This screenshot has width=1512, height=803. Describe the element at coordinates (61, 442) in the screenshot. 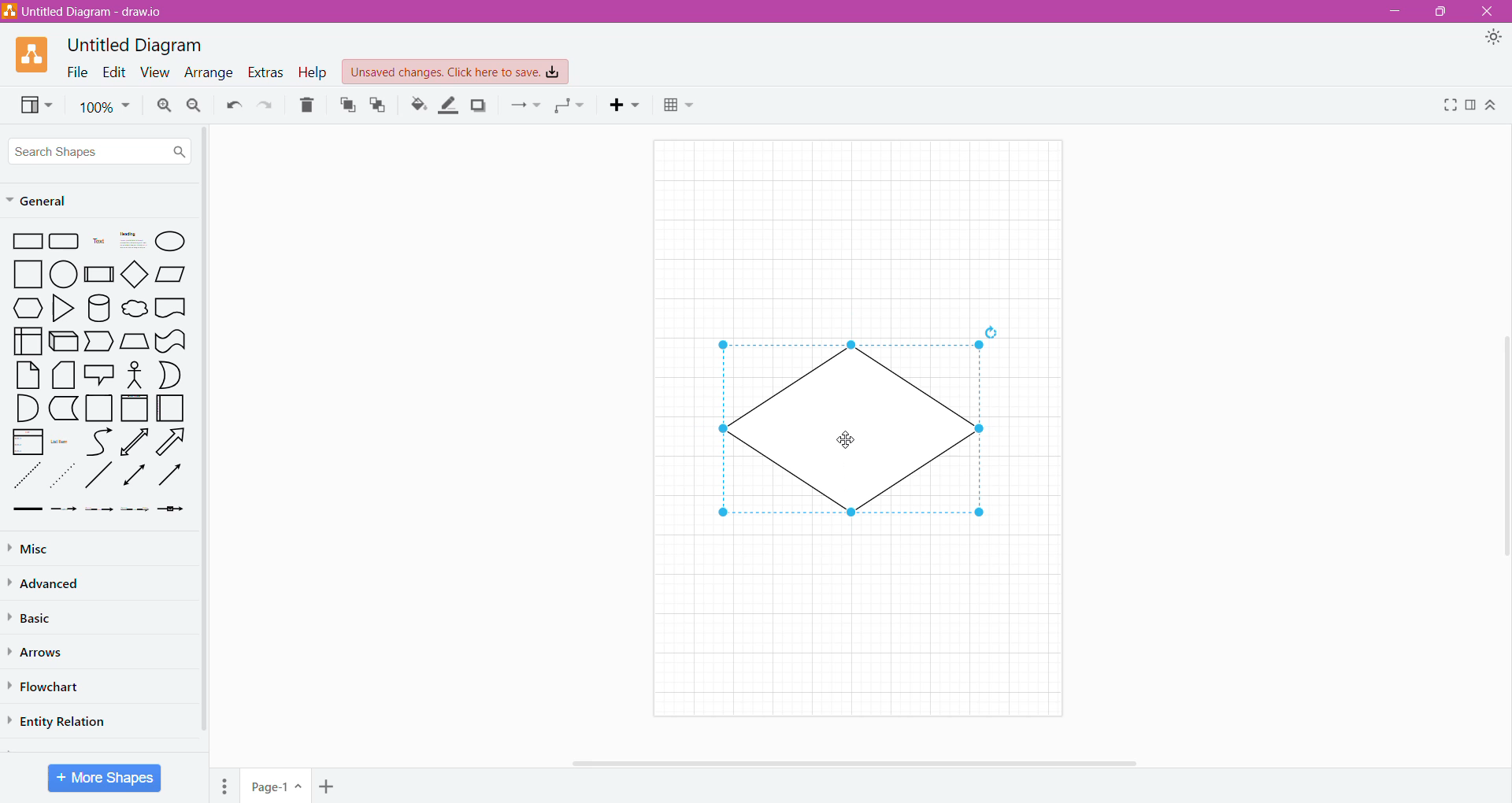

I see `List Item` at that location.